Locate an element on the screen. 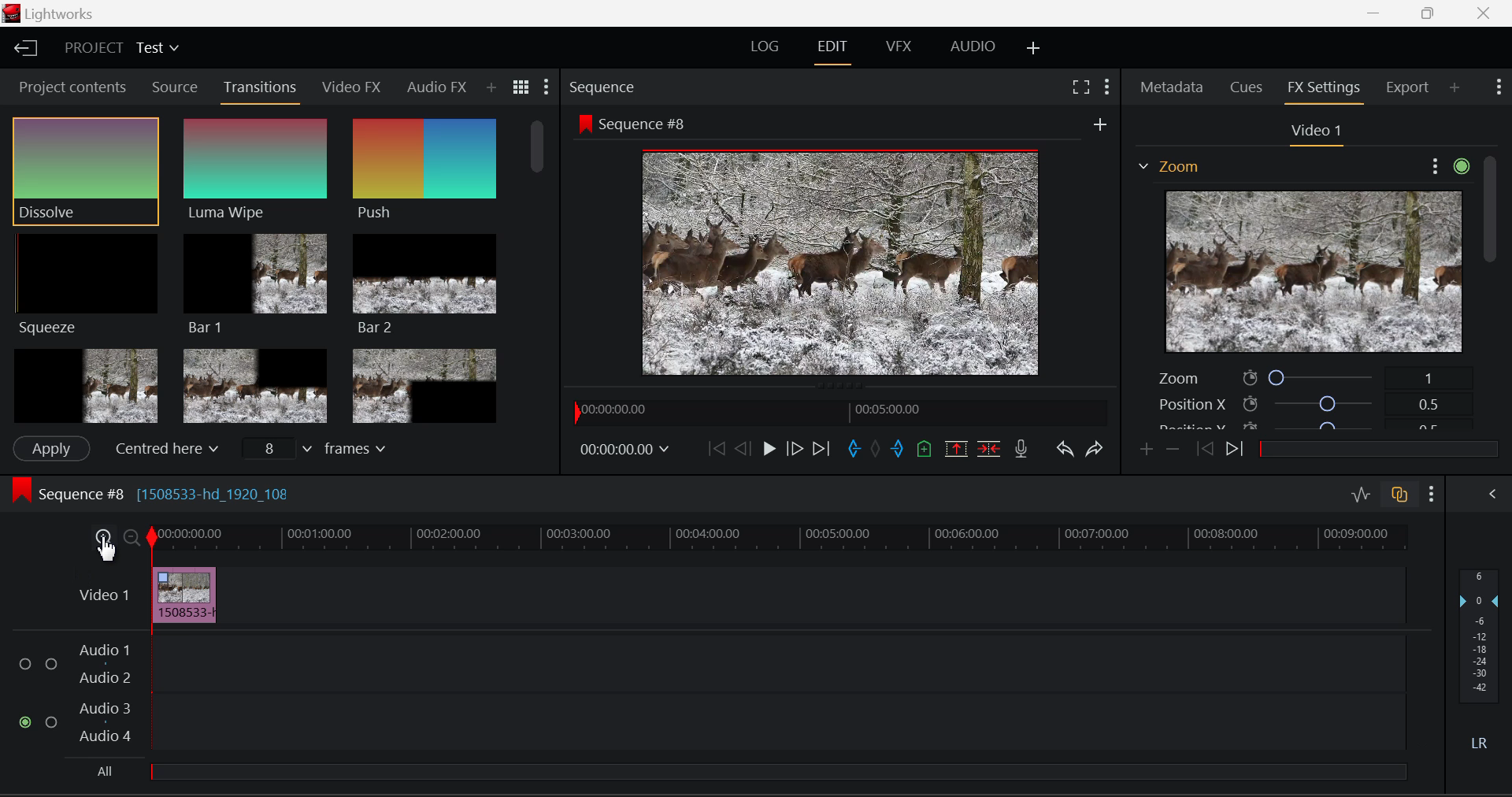 The image size is (1512, 797). Box 2 is located at coordinates (255, 385).